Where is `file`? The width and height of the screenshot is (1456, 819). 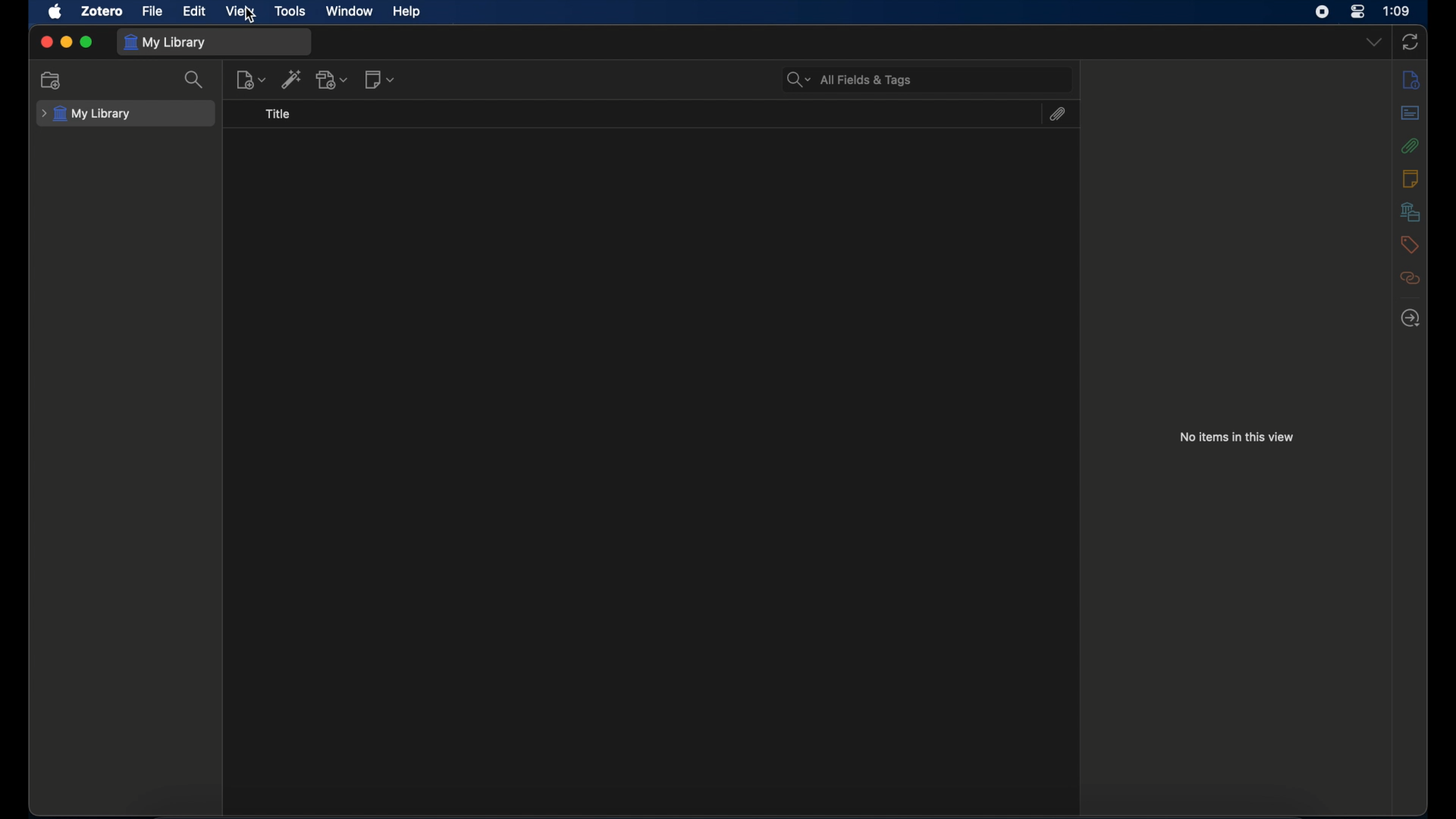 file is located at coordinates (153, 11).